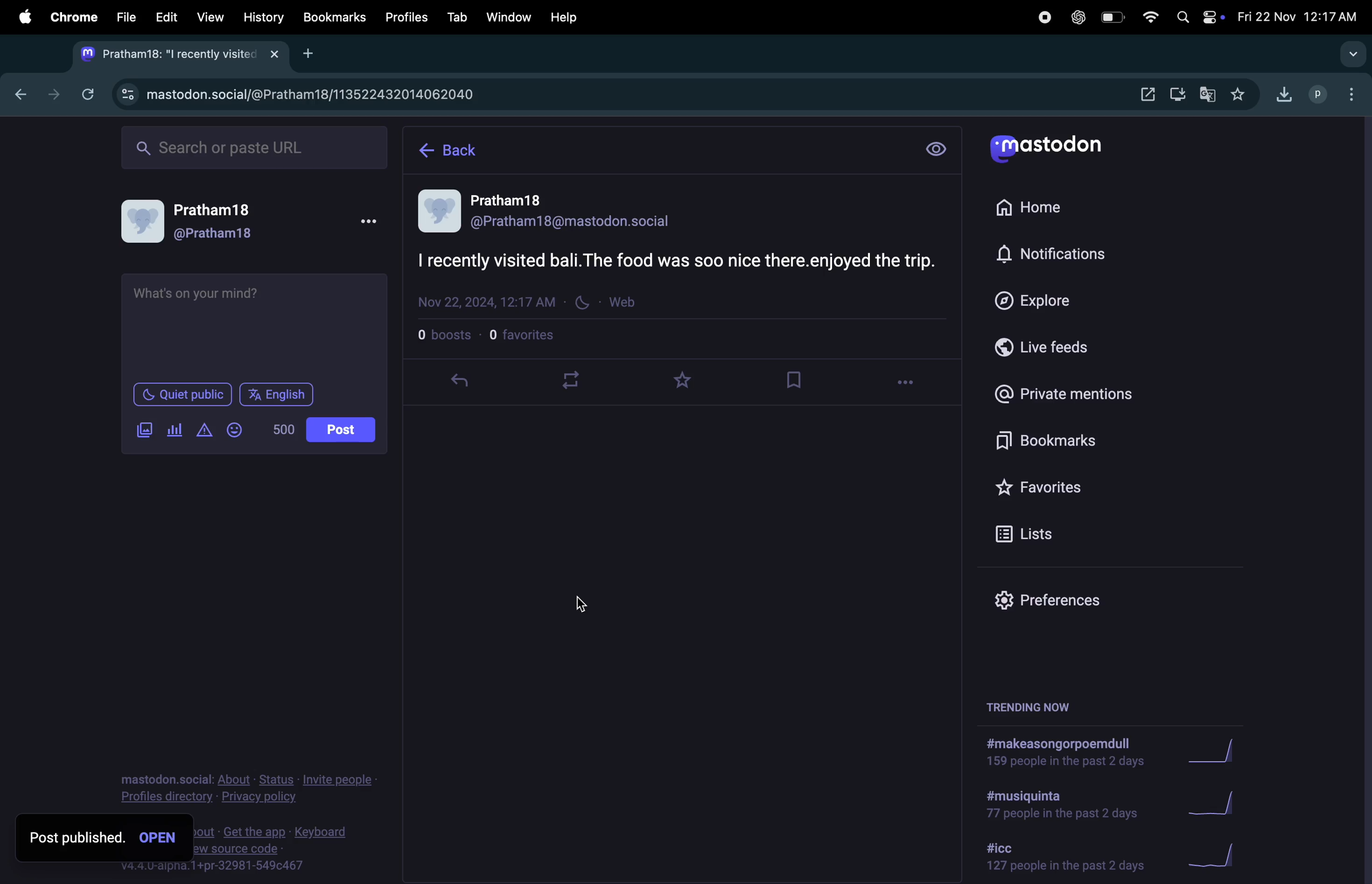 This screenshot has width=1372, height=884. Describe the element at coordinates (73, 15) in the screenshot. I see `chrome` at that location.